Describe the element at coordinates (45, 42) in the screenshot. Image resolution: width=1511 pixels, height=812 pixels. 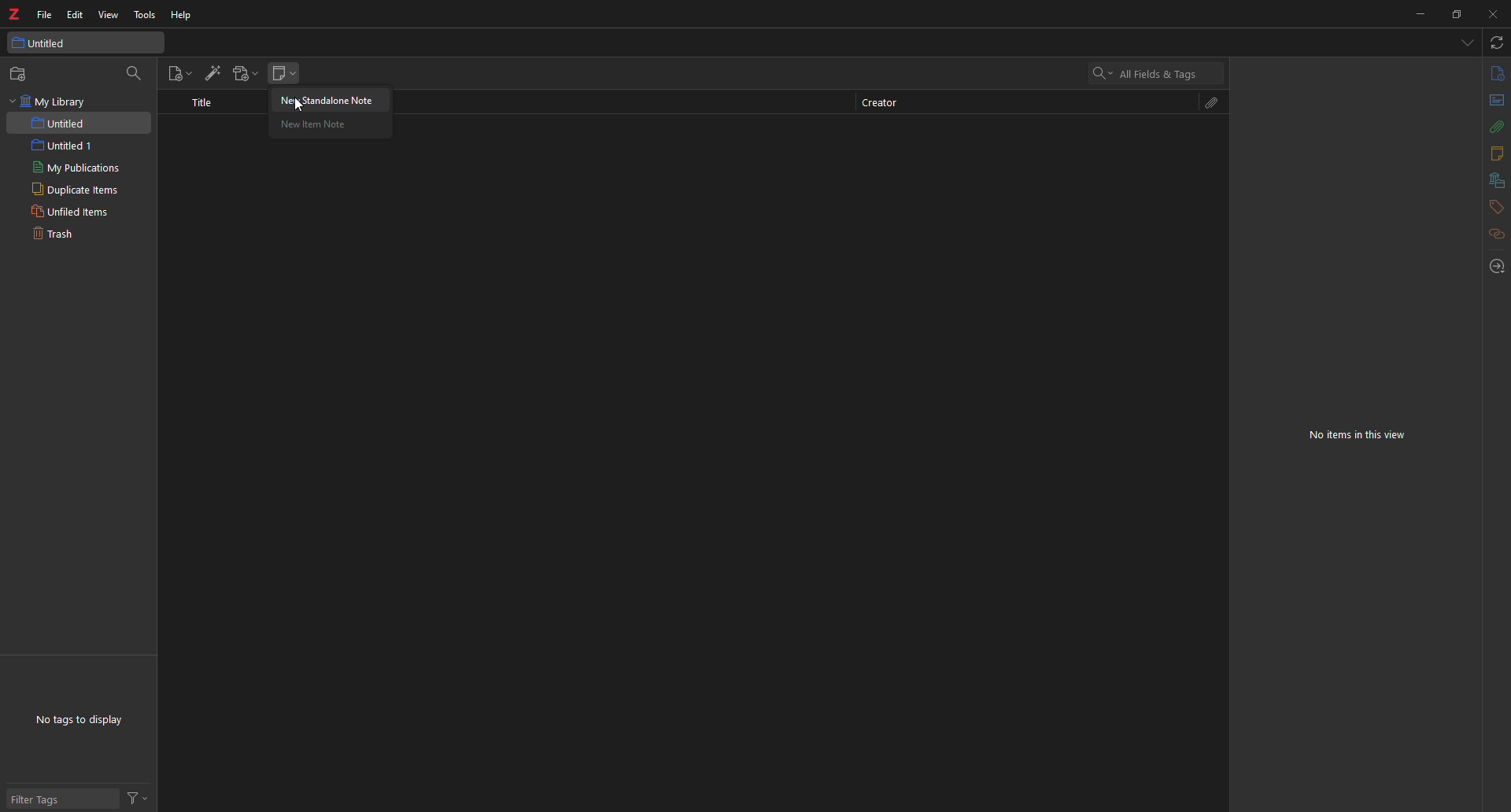
I see `untitled` at that location.